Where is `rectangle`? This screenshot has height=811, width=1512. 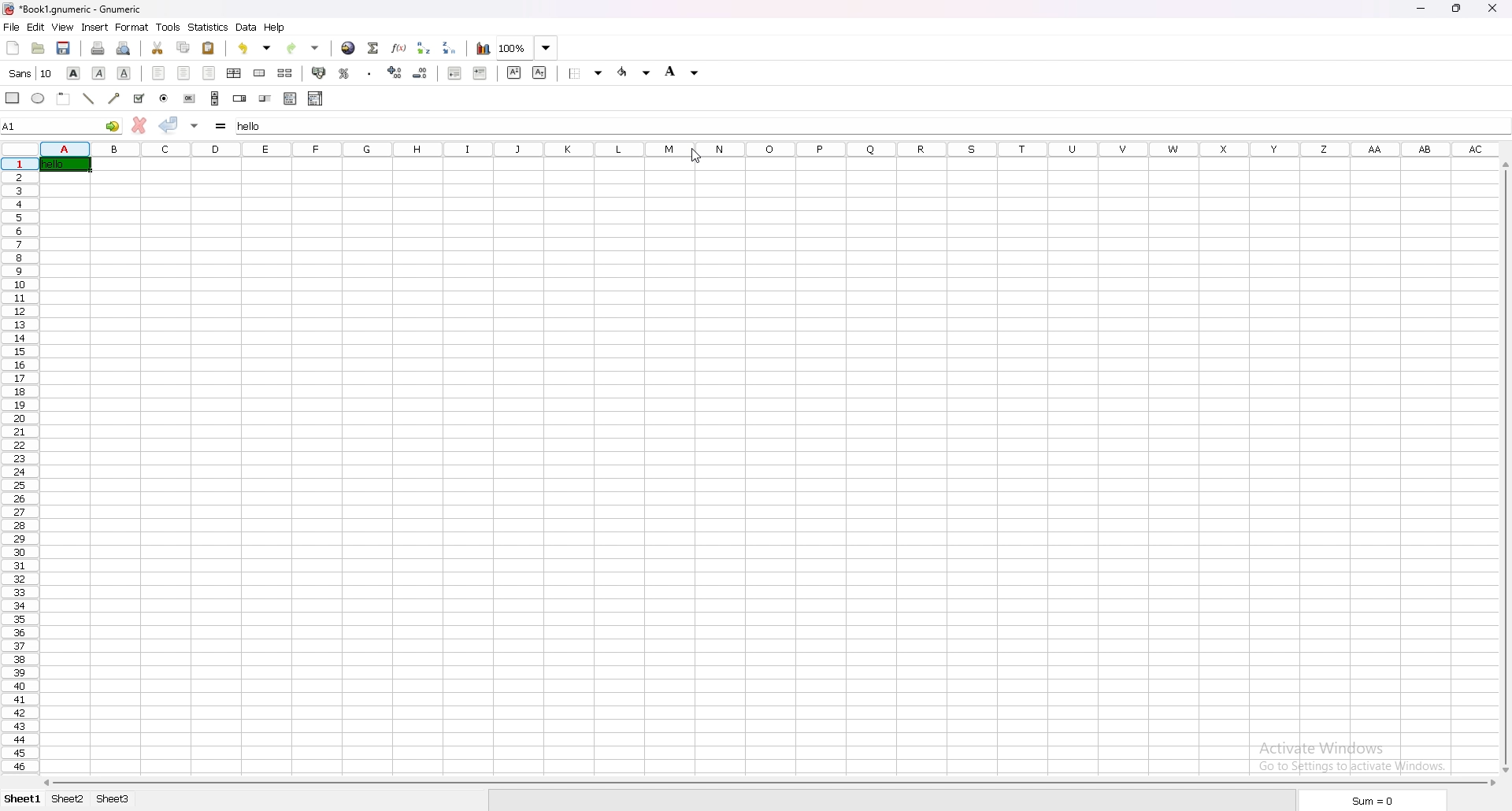
rectangle is located at coordinates (14, 98).